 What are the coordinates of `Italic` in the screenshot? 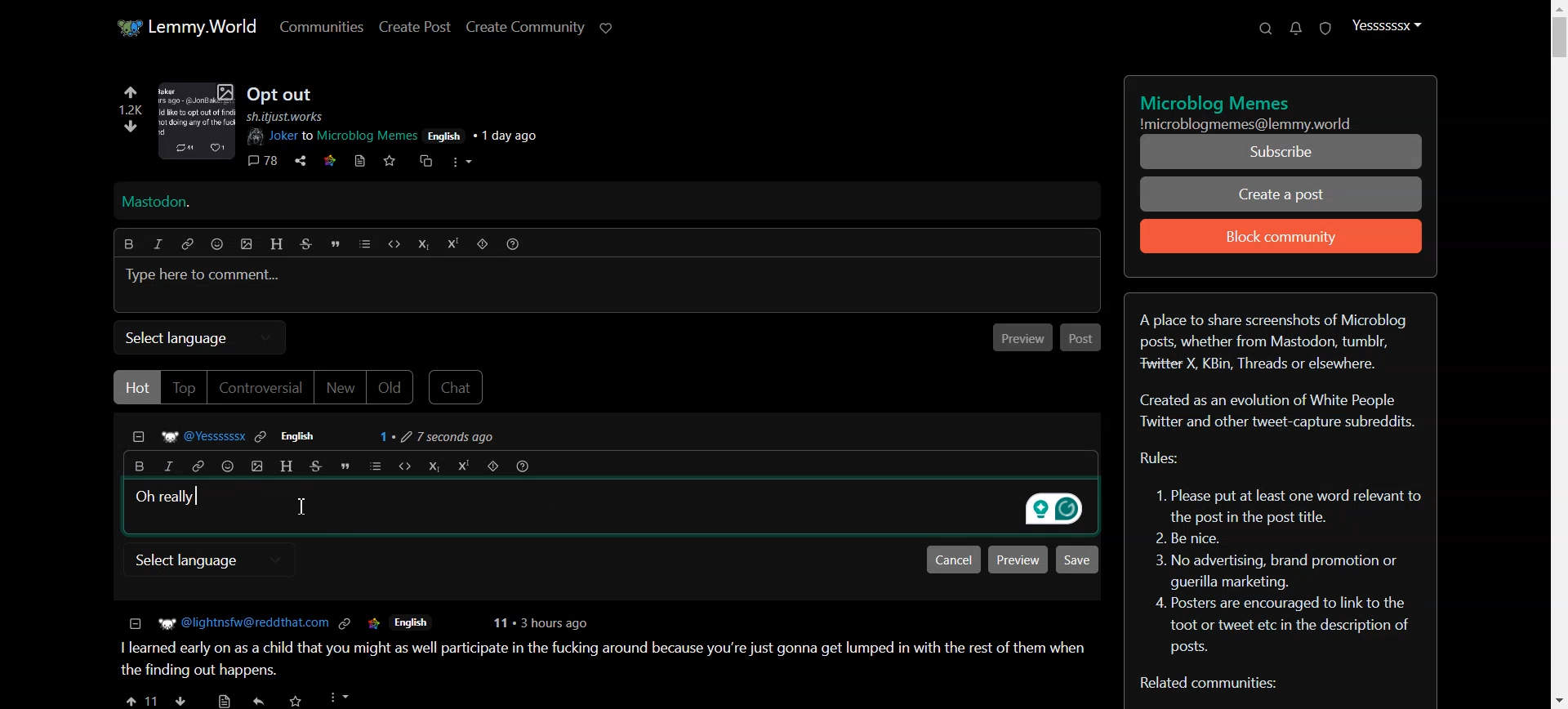 It's located at (168, 467).